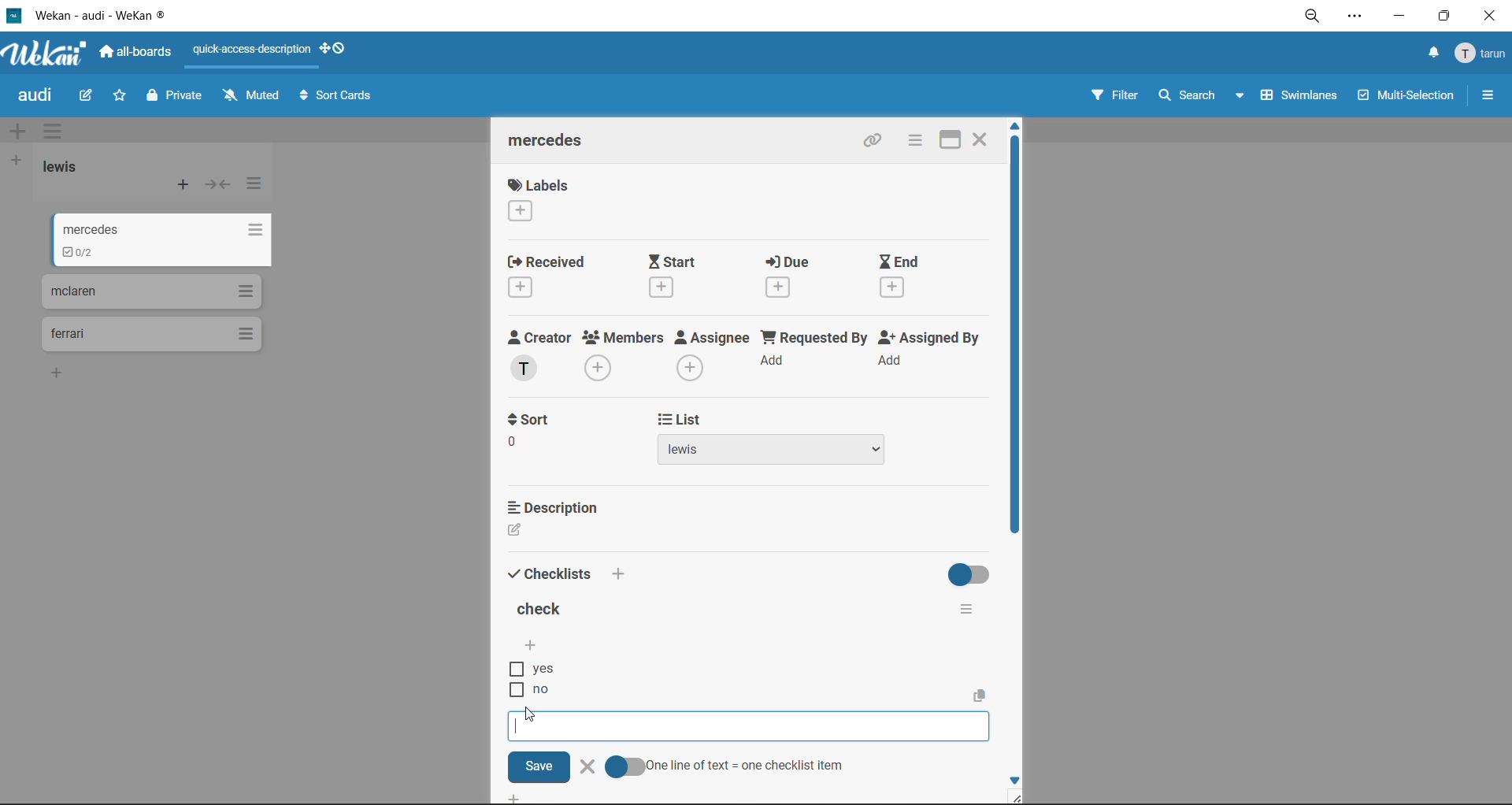  I want to click on show desktop drag handles, so click(338, 50).